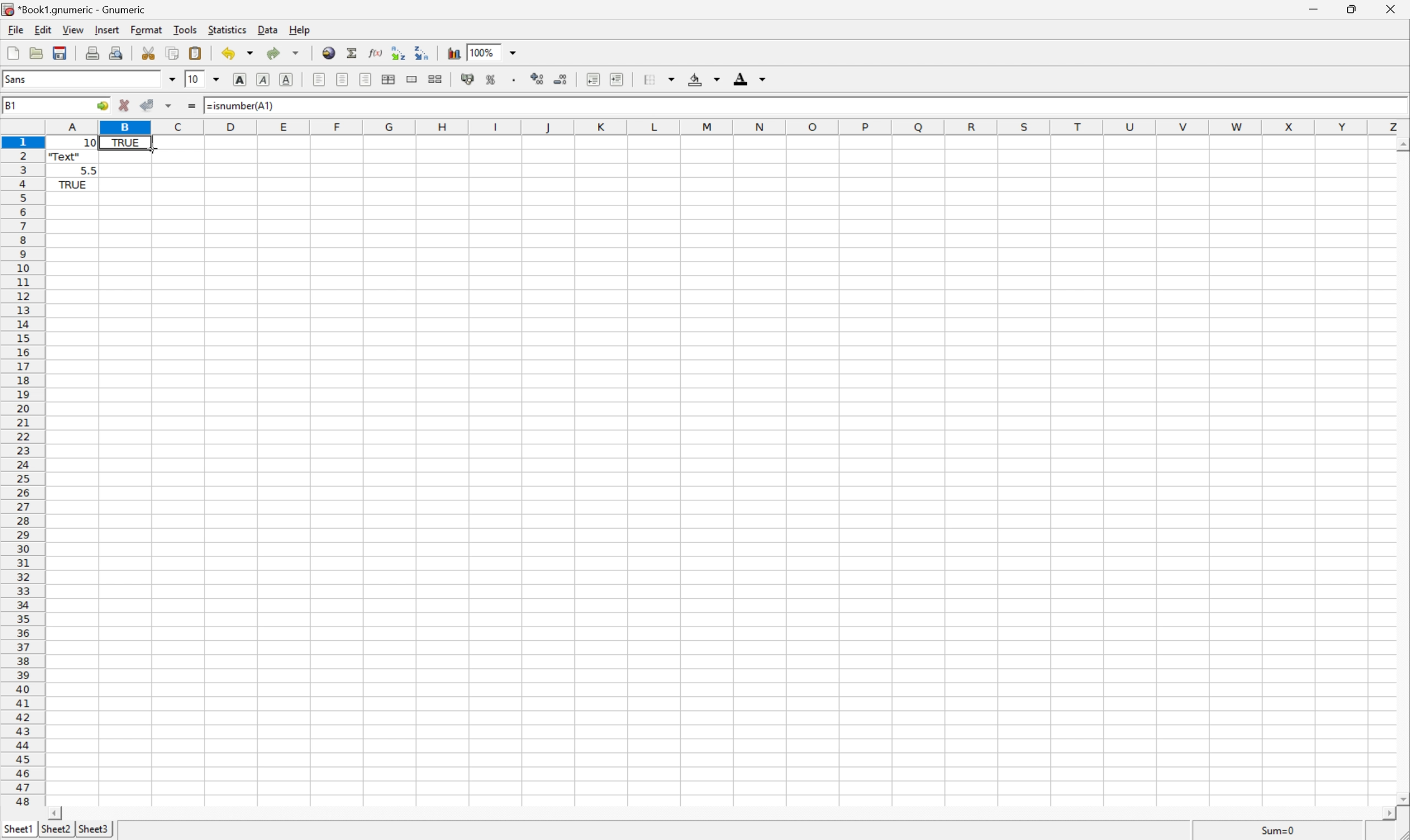 Image resolution: width=1410 pixels, height=840 pixels. Describe the element at coordinates (194, 79) in the screenshot. I see `10` at that location.